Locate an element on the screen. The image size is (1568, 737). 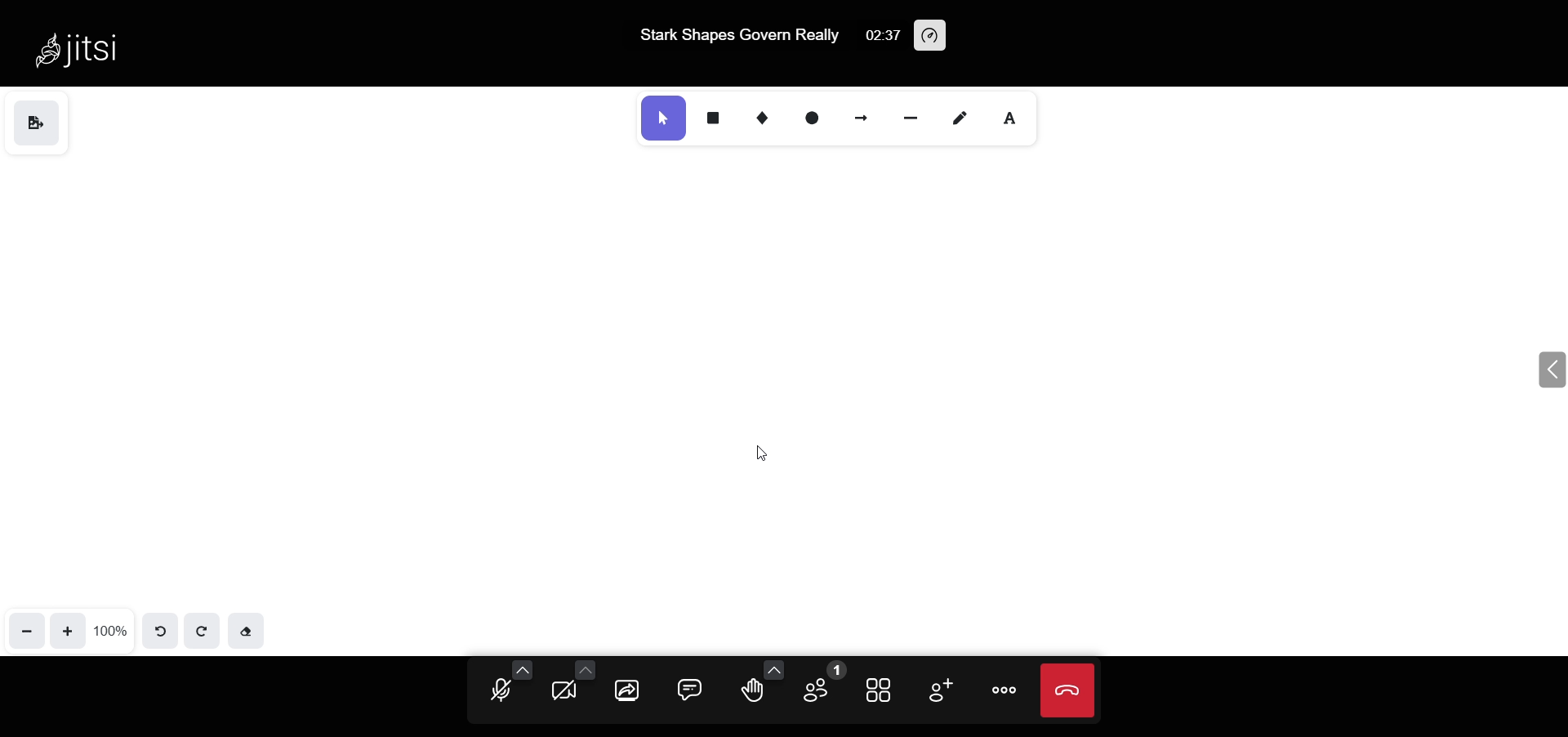
rectangle is located at coordinates (712, 117).